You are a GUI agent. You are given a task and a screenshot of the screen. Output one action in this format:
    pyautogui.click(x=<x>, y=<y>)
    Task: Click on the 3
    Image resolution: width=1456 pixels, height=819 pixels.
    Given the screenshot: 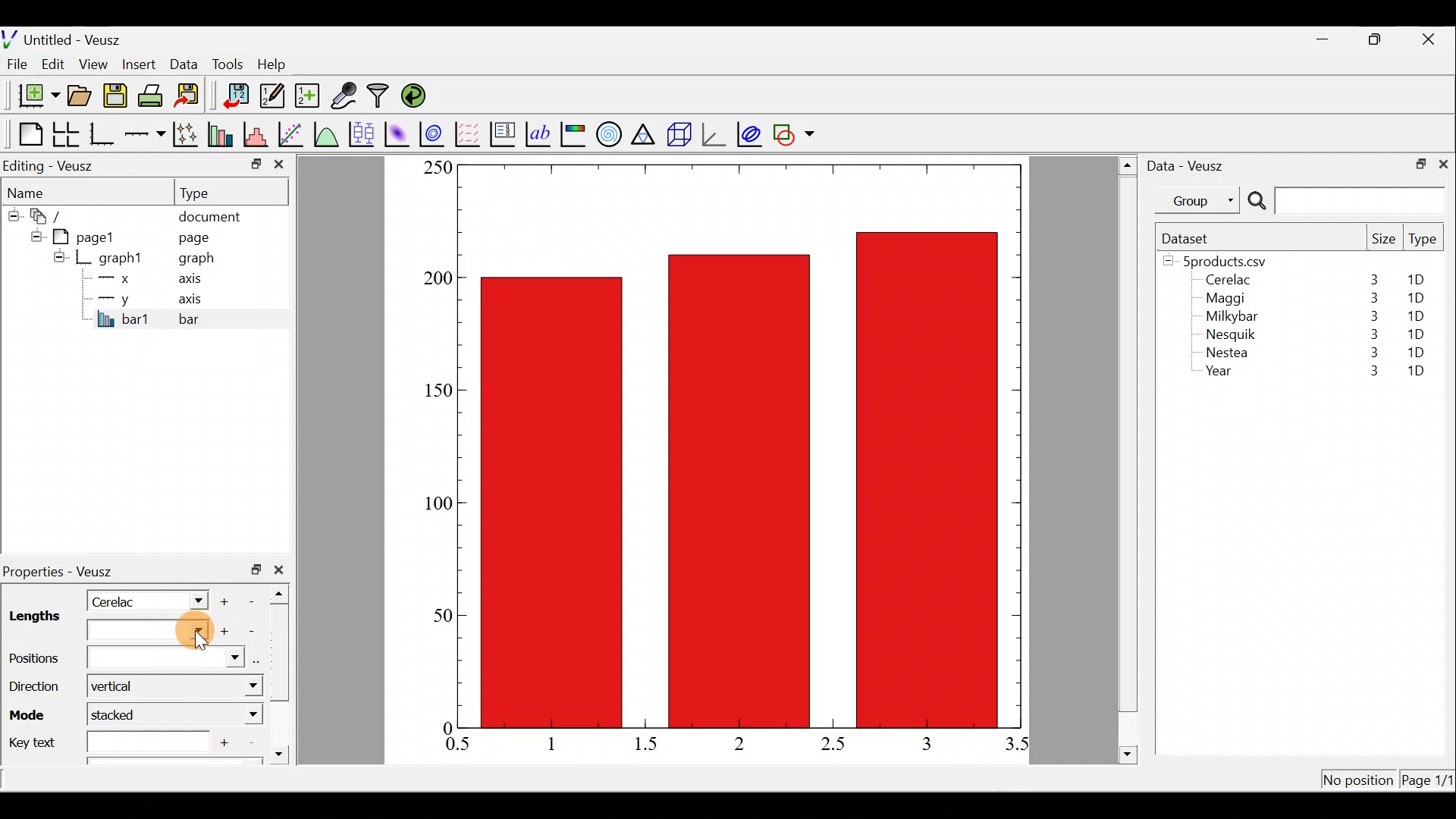 What is the action you would take?
    pyautogui.click(x=925, y=743)
    